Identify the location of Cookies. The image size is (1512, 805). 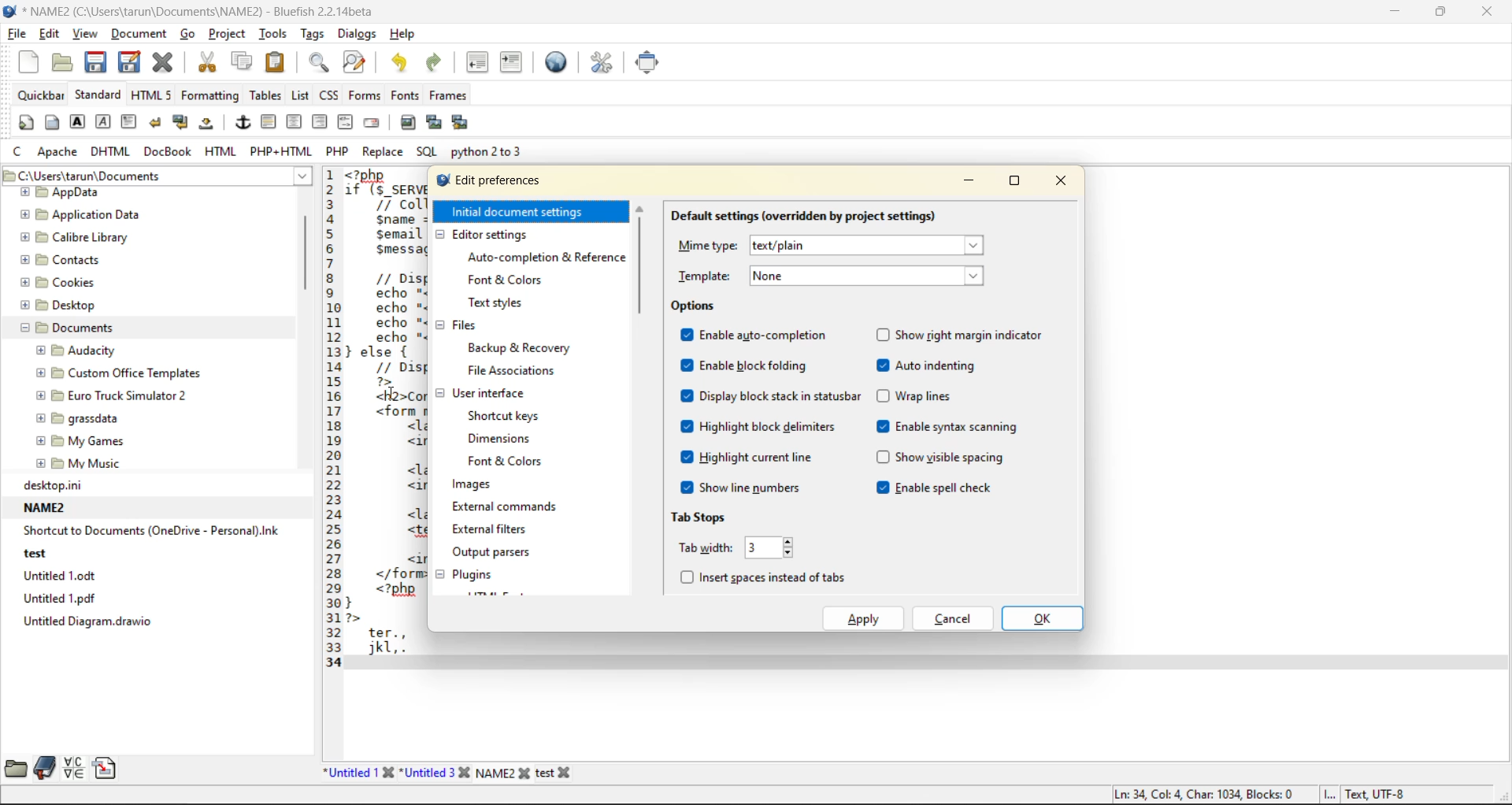
(60, 280).